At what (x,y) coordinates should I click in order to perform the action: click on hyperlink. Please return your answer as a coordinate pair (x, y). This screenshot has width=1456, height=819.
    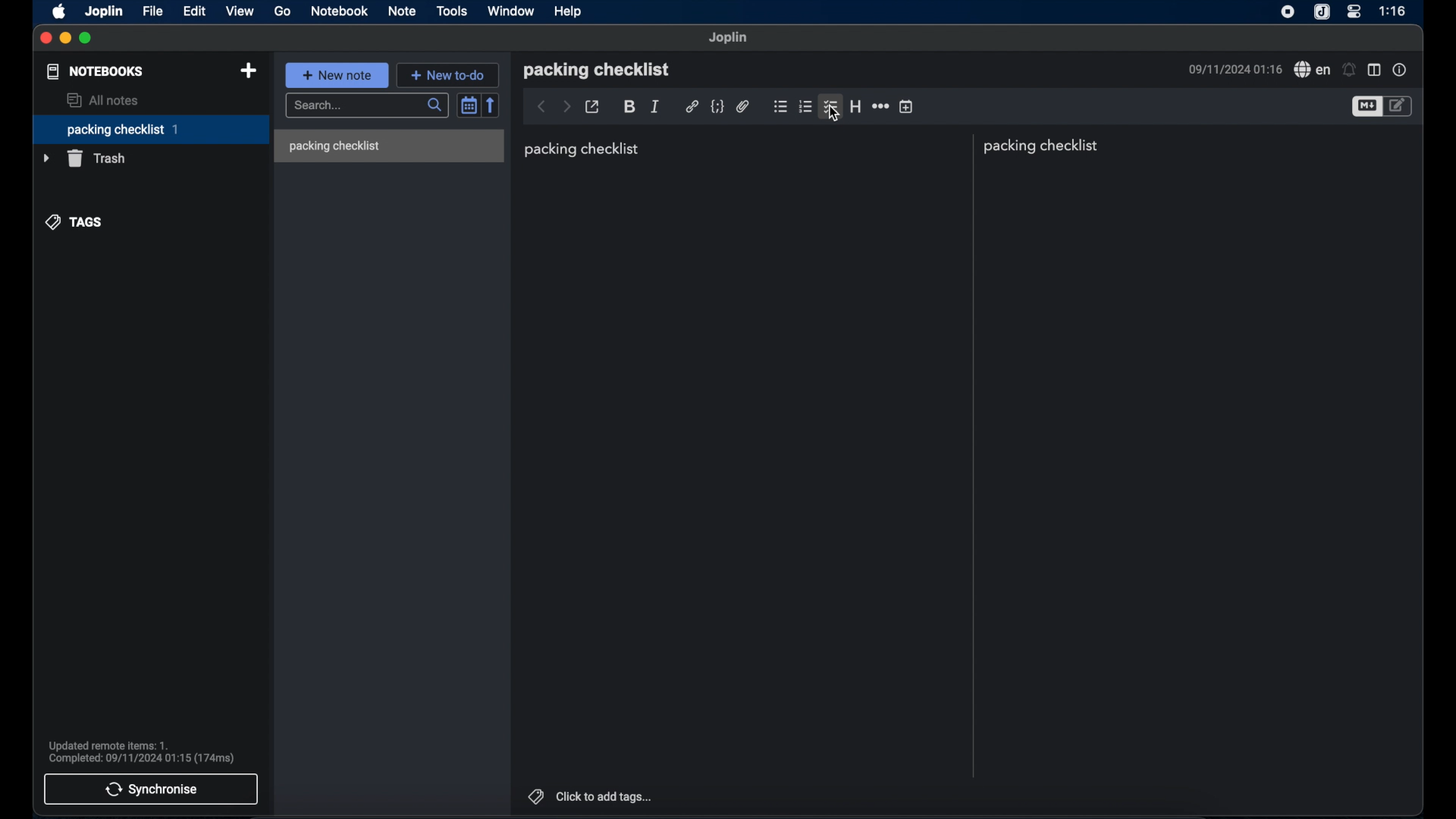
    Looking at the image, I should click on (692, 107).